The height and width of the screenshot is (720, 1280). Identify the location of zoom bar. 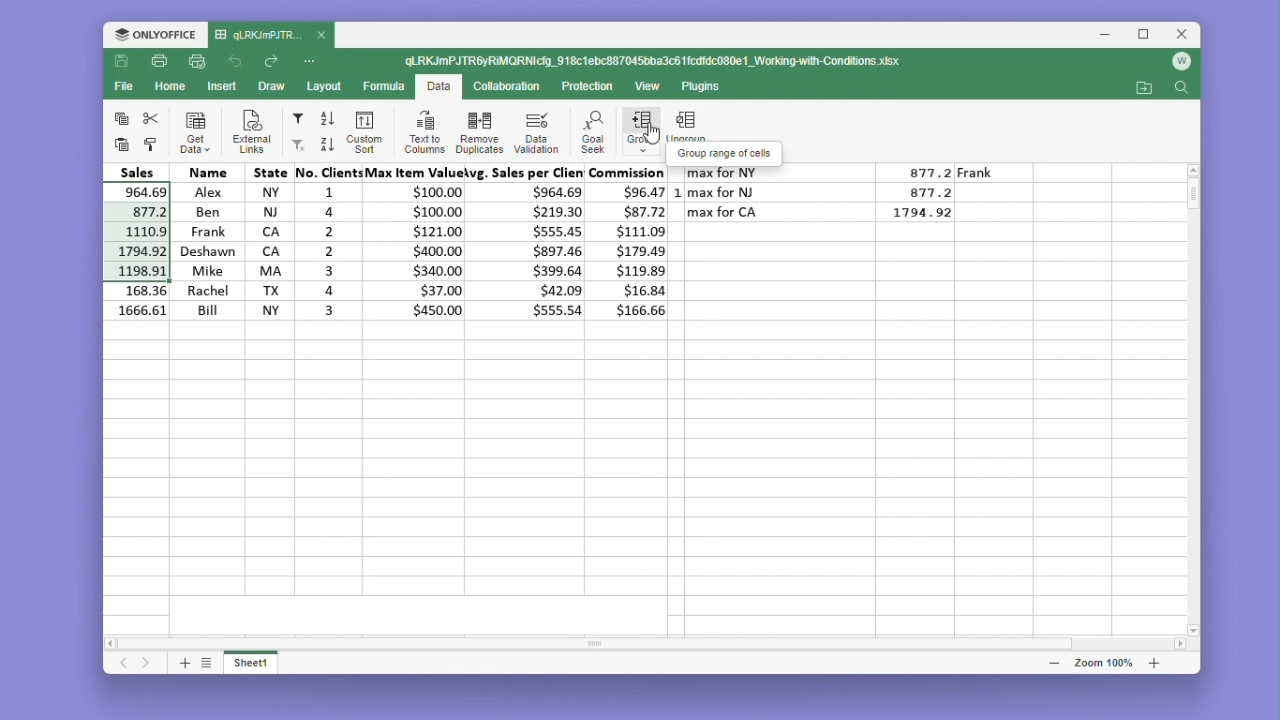
(1102, 662).